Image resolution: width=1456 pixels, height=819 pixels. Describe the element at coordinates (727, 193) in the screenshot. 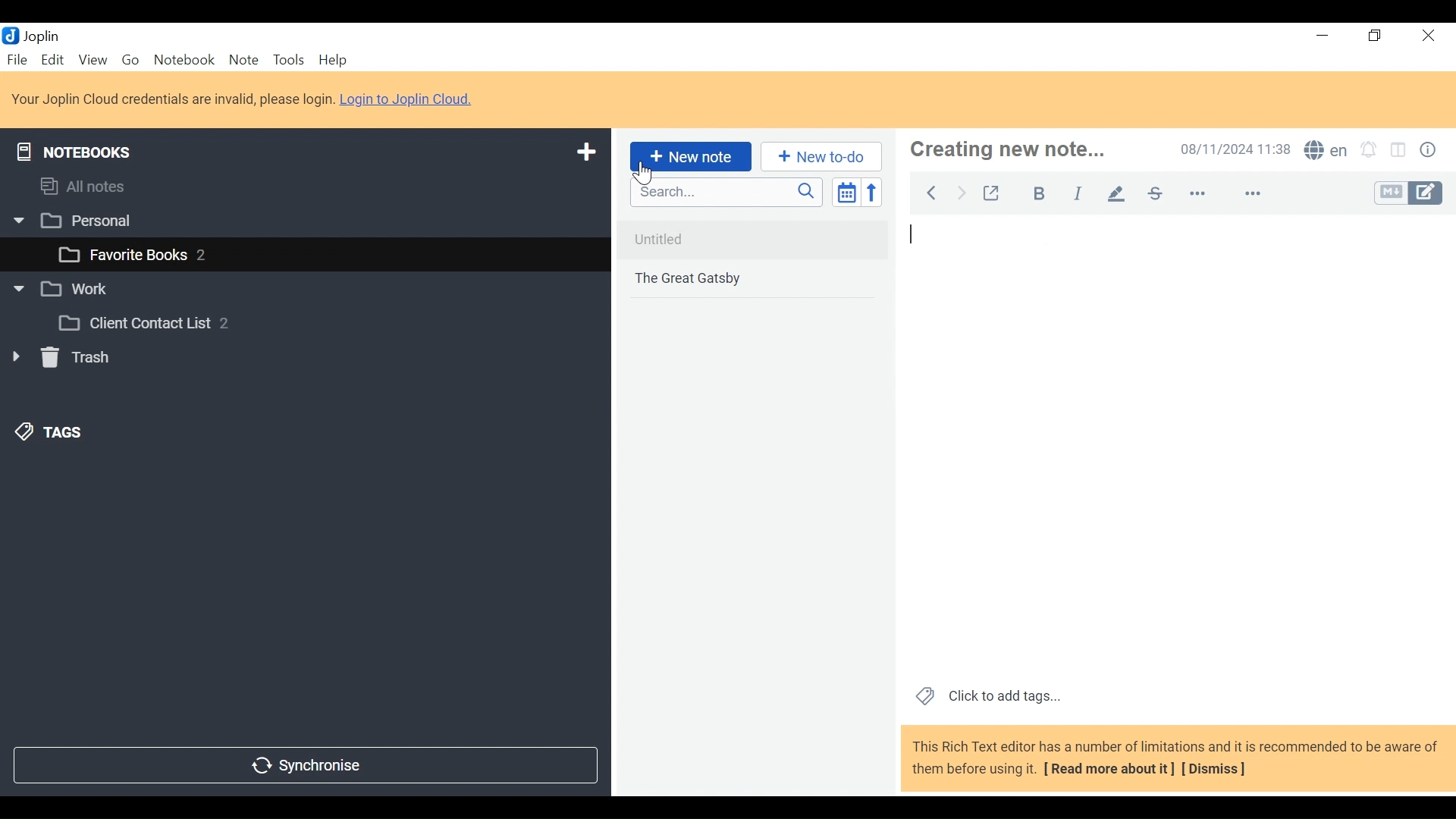

I see `Search` at that location.